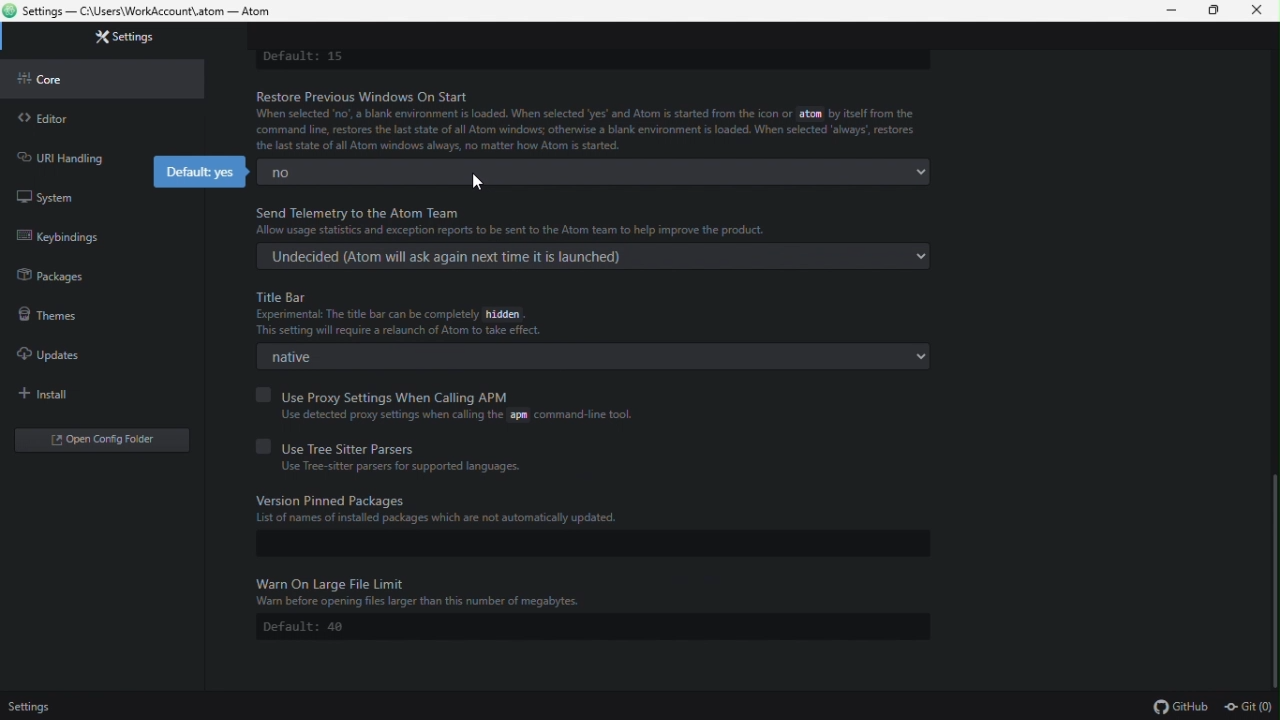 The height and width of the screenshot is (720, 1280). I want to click on Scroll bar, so click(1272, 576).